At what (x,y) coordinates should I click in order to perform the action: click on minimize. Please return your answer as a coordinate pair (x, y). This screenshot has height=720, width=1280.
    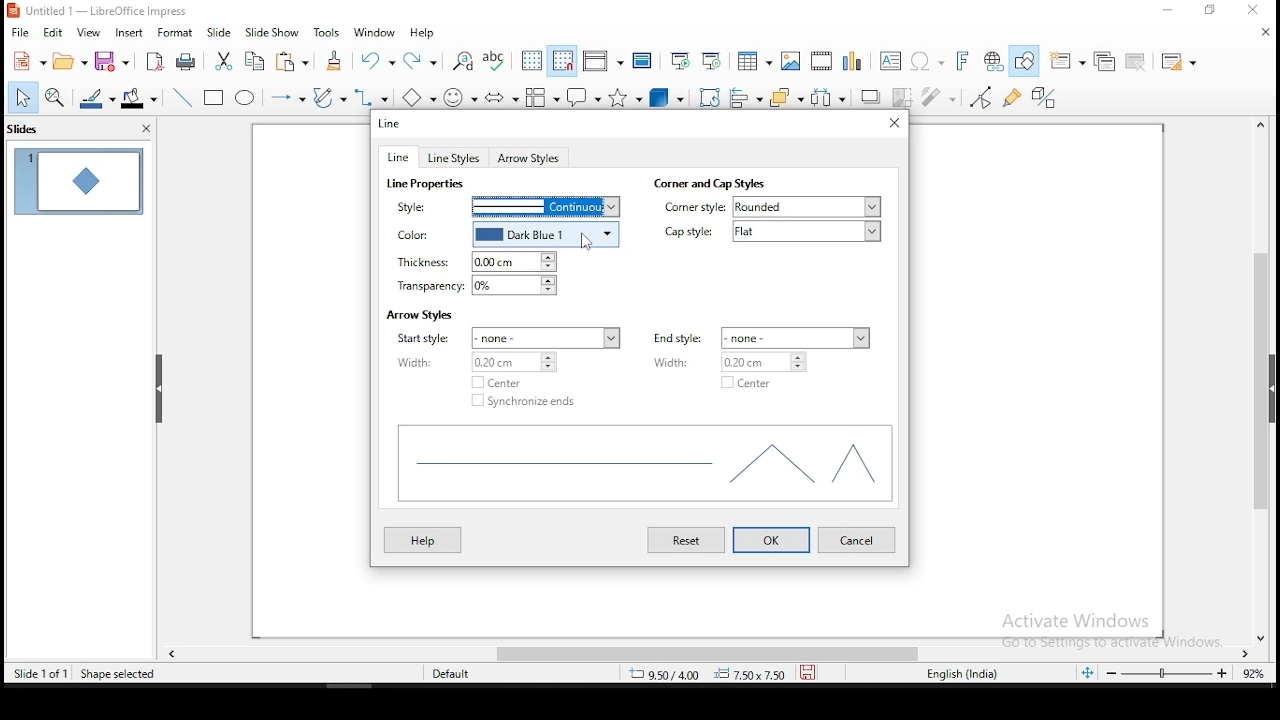
    Looking at the image, I should click on (1169, 11).